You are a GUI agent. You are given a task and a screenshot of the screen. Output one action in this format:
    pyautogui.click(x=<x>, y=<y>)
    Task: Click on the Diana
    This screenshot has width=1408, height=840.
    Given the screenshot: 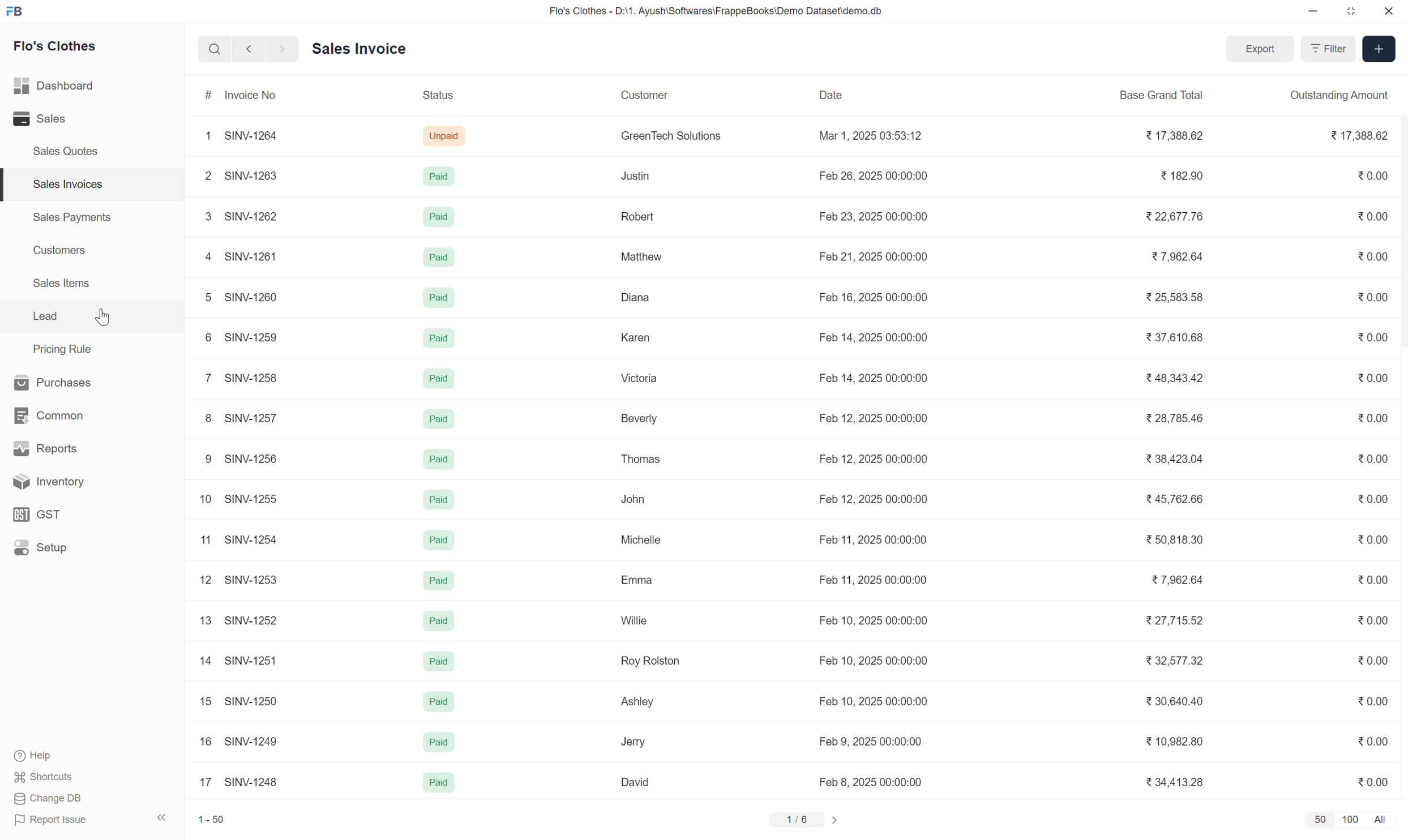 What is the action you would take?
    pyautogui.click(x=633, y=299)
    